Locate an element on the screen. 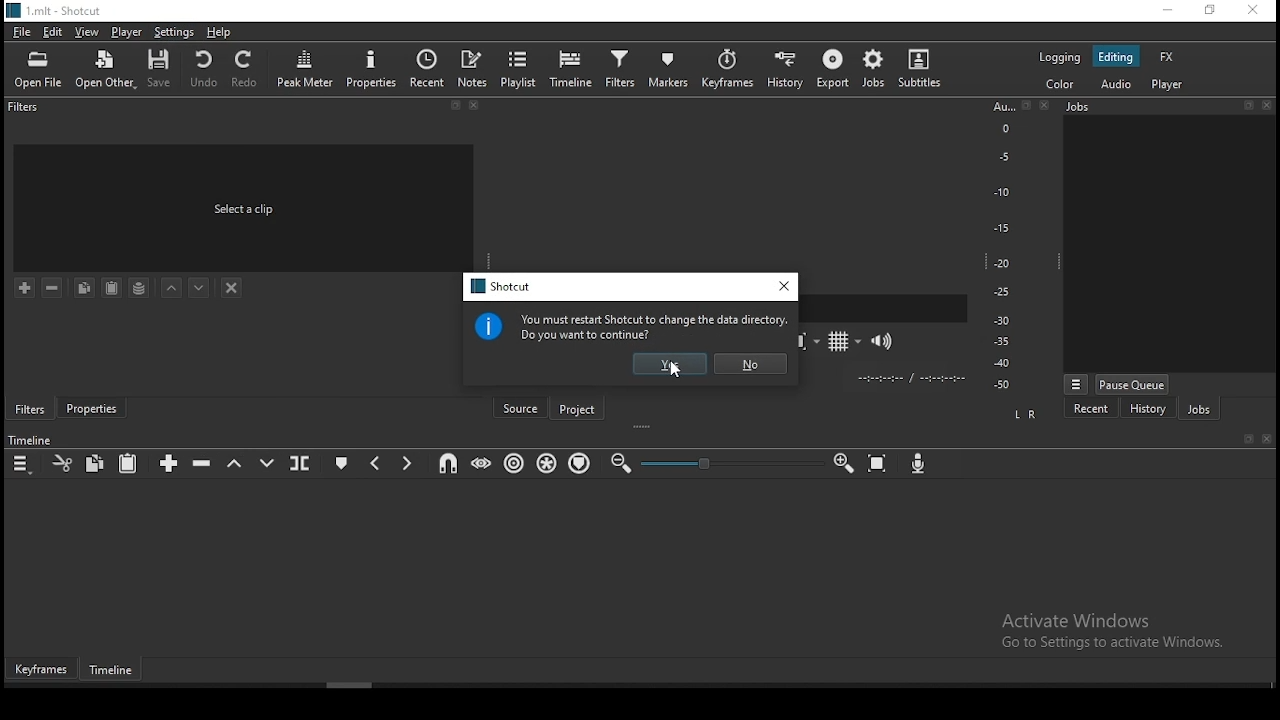  Timeline is located at coordinates (32, 440).